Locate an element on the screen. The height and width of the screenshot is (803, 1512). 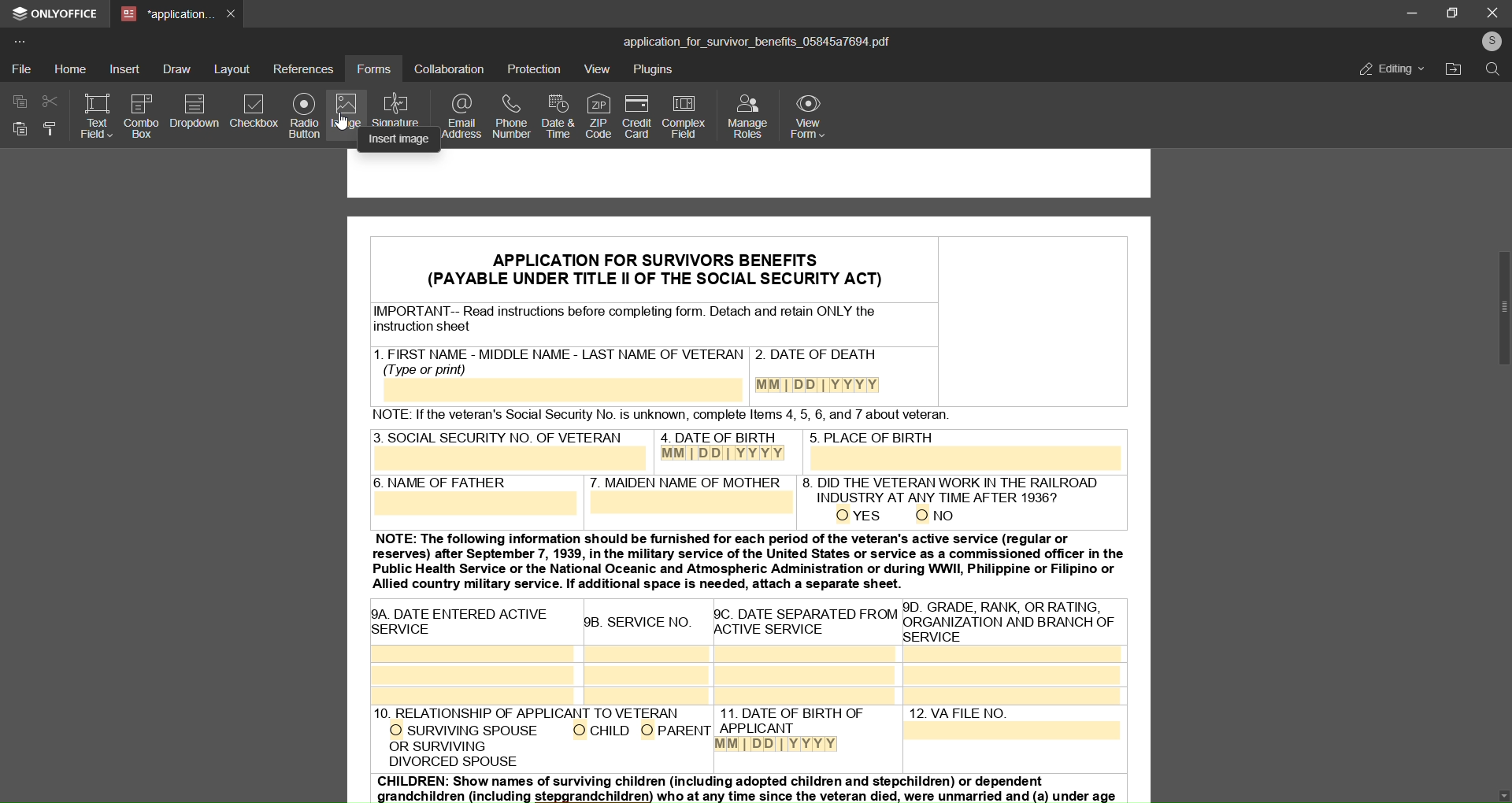
dropdown is located at coordinates (196, 112).